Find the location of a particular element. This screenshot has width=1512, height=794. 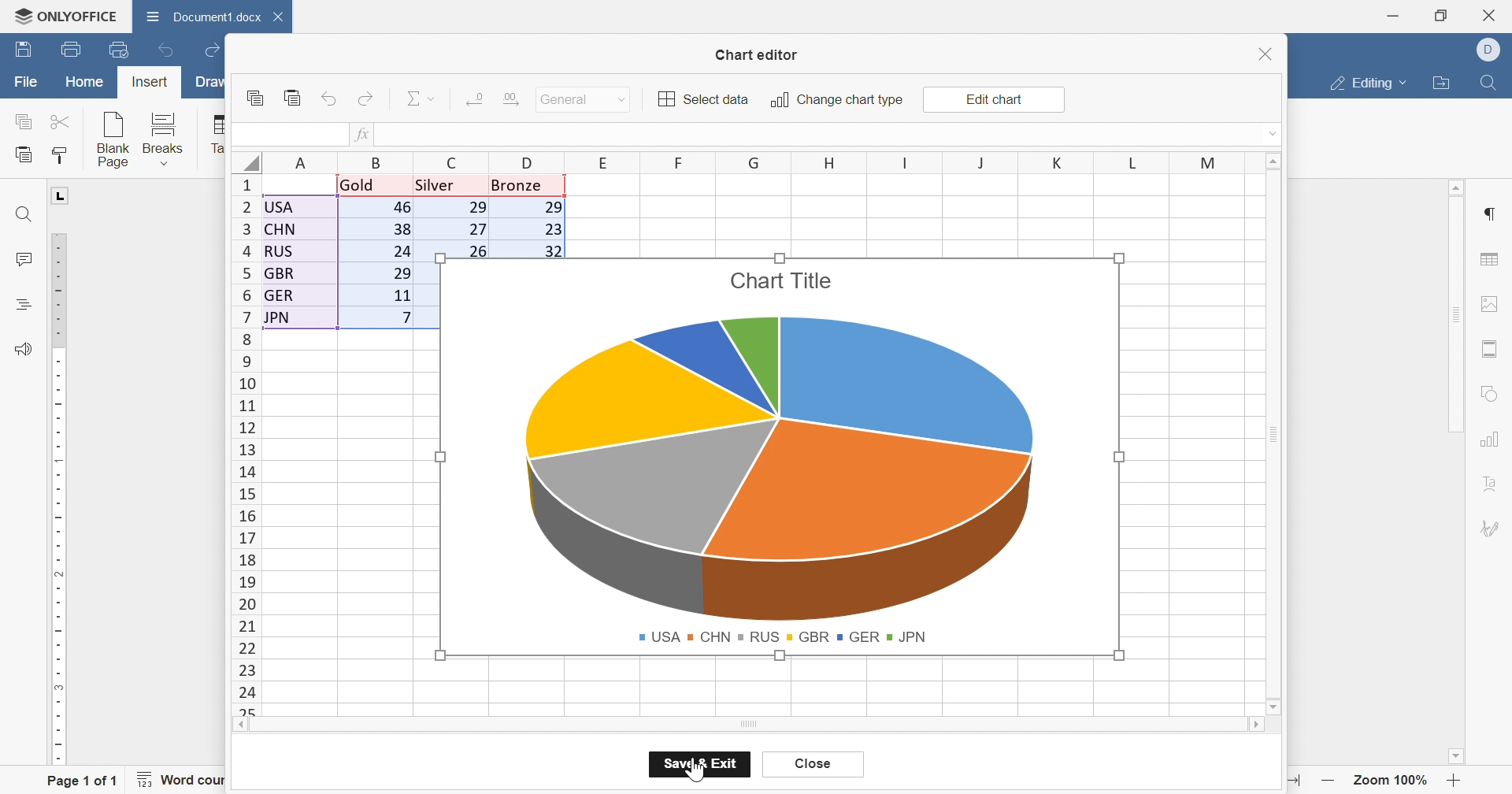

Shape settings is located at coordinates (1494, 394).